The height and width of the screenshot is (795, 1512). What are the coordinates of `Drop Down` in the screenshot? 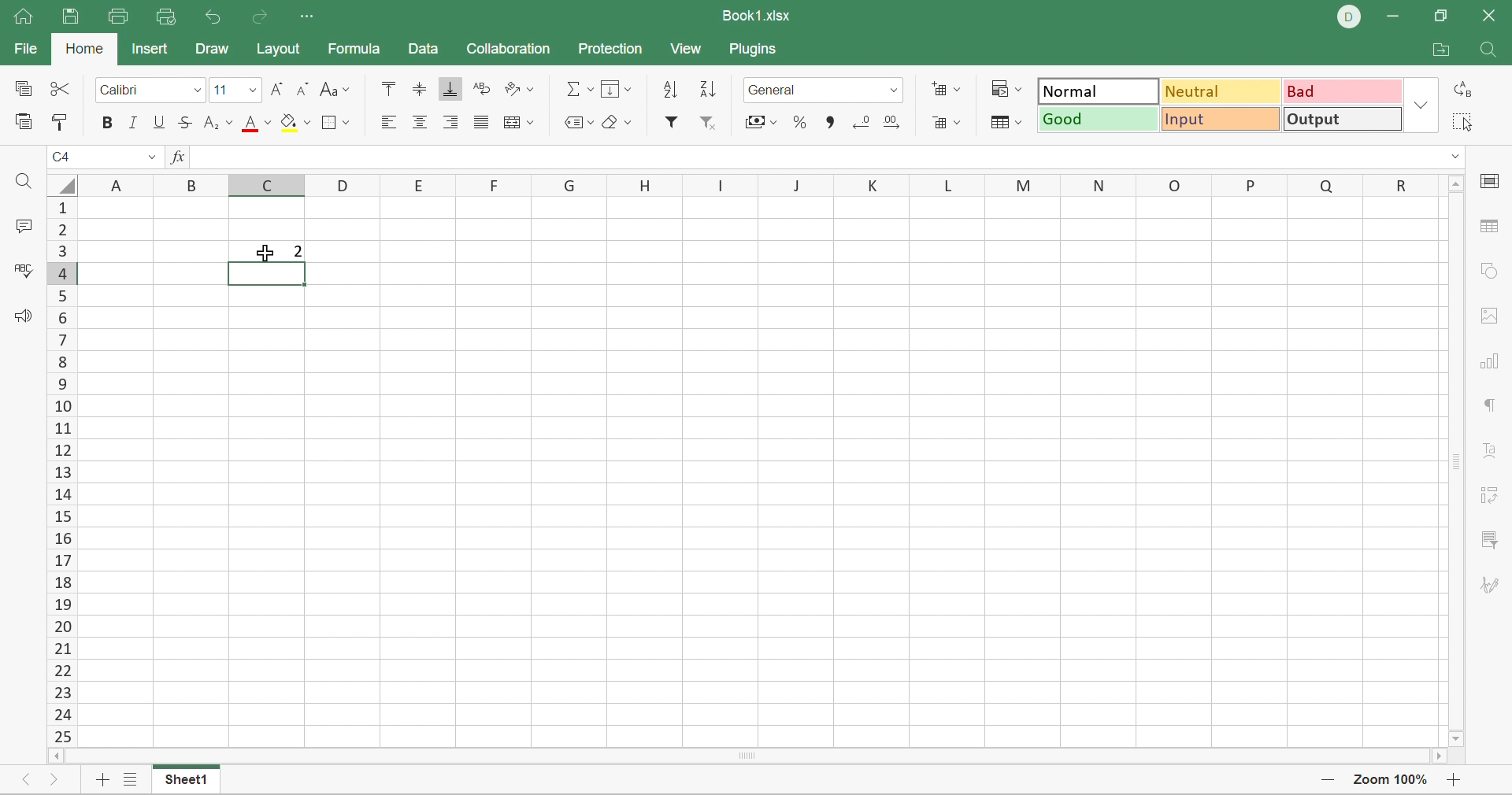 It's located at (896, 91).